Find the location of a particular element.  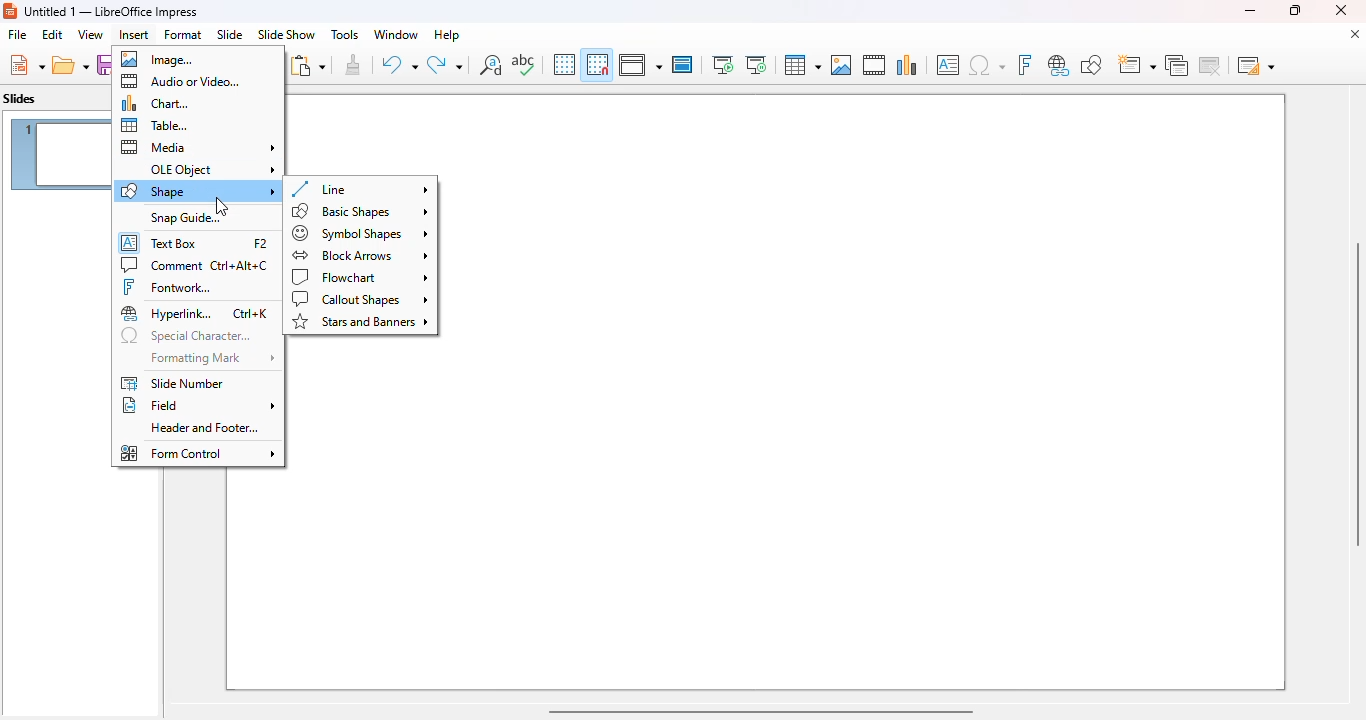

block arrows is located at coordinates (360, 255).